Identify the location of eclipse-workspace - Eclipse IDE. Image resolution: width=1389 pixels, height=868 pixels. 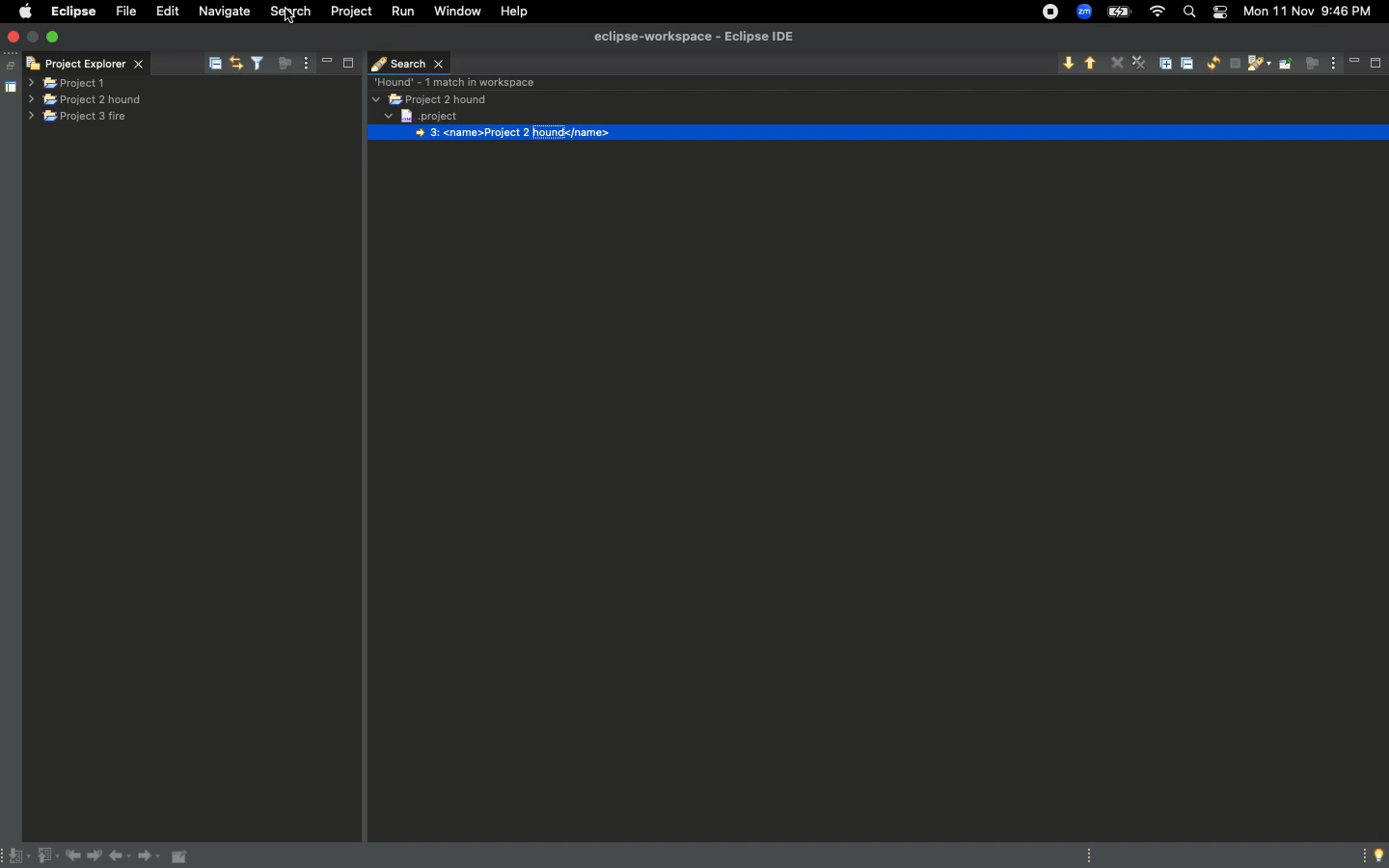
(694, 36).